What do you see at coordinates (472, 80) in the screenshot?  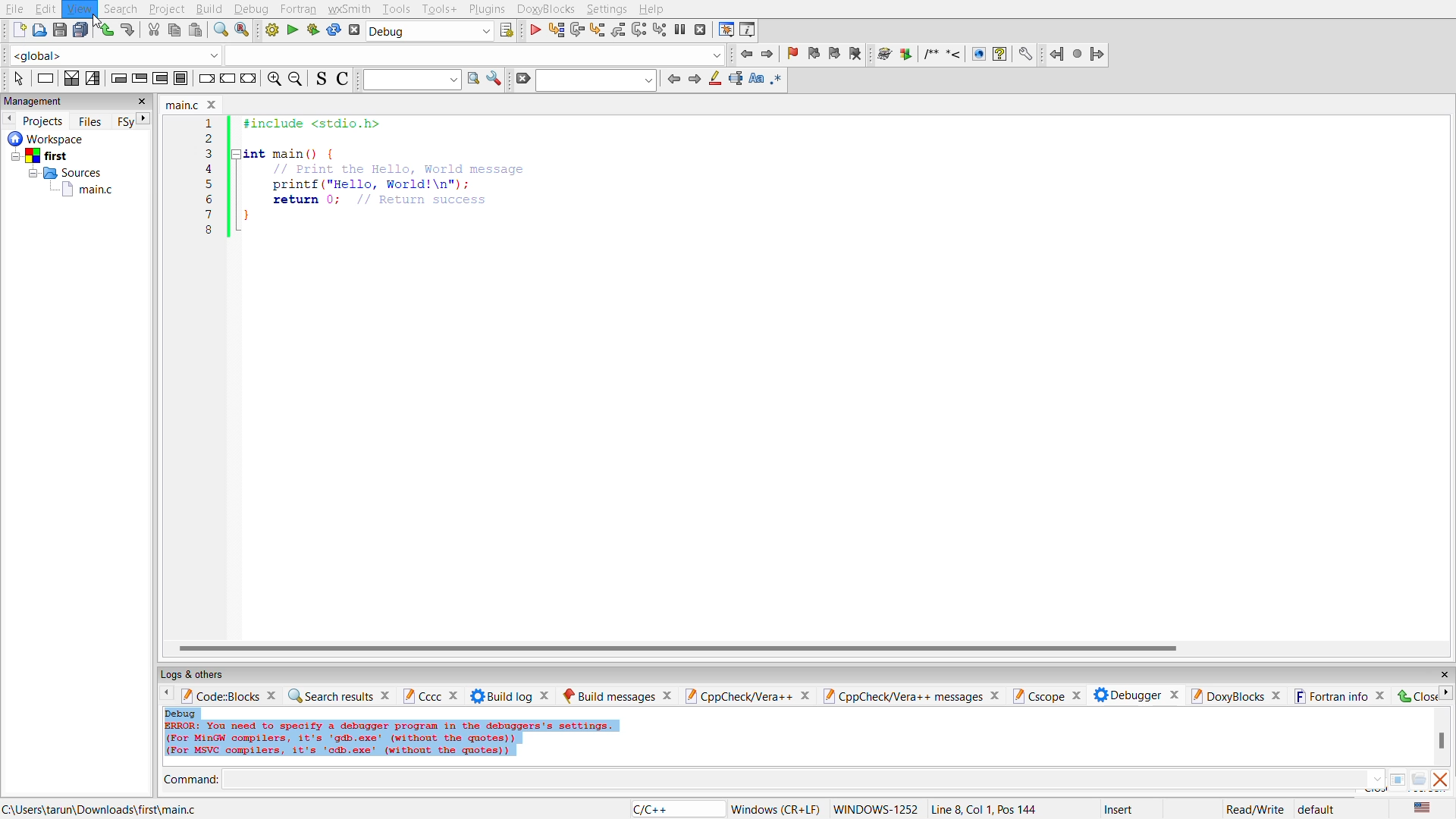 I see `run search` at bounding box center [472, 80].